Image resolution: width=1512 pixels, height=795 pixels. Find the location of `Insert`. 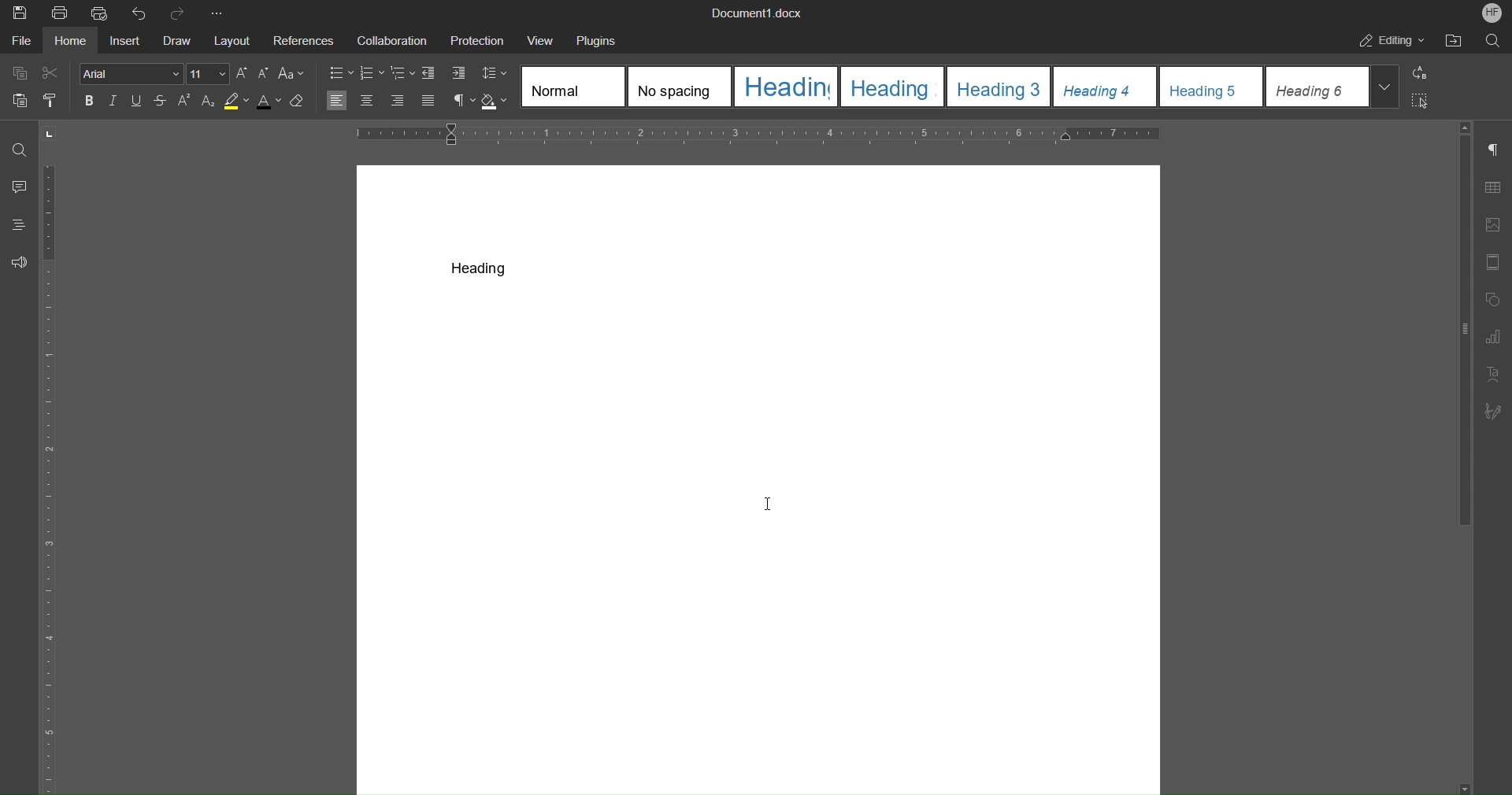

Insert is located at coordinates (127, 41).